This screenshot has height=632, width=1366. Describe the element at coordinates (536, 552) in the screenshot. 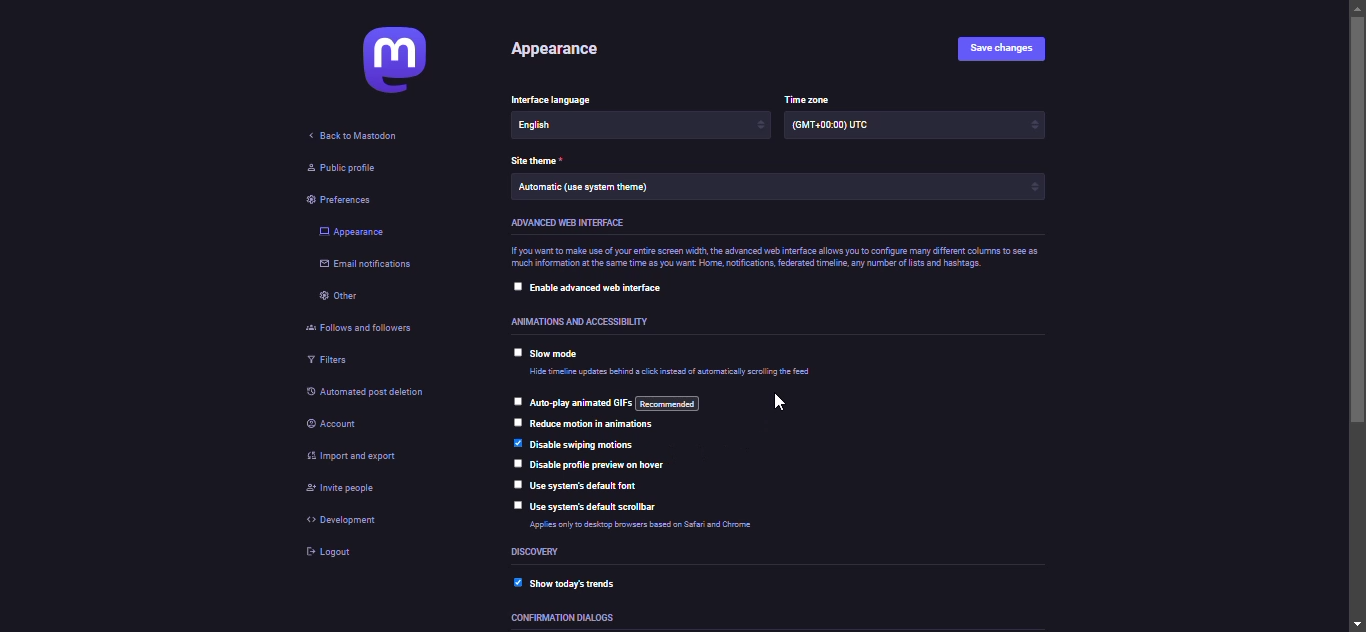

I see `discovery` at that location.